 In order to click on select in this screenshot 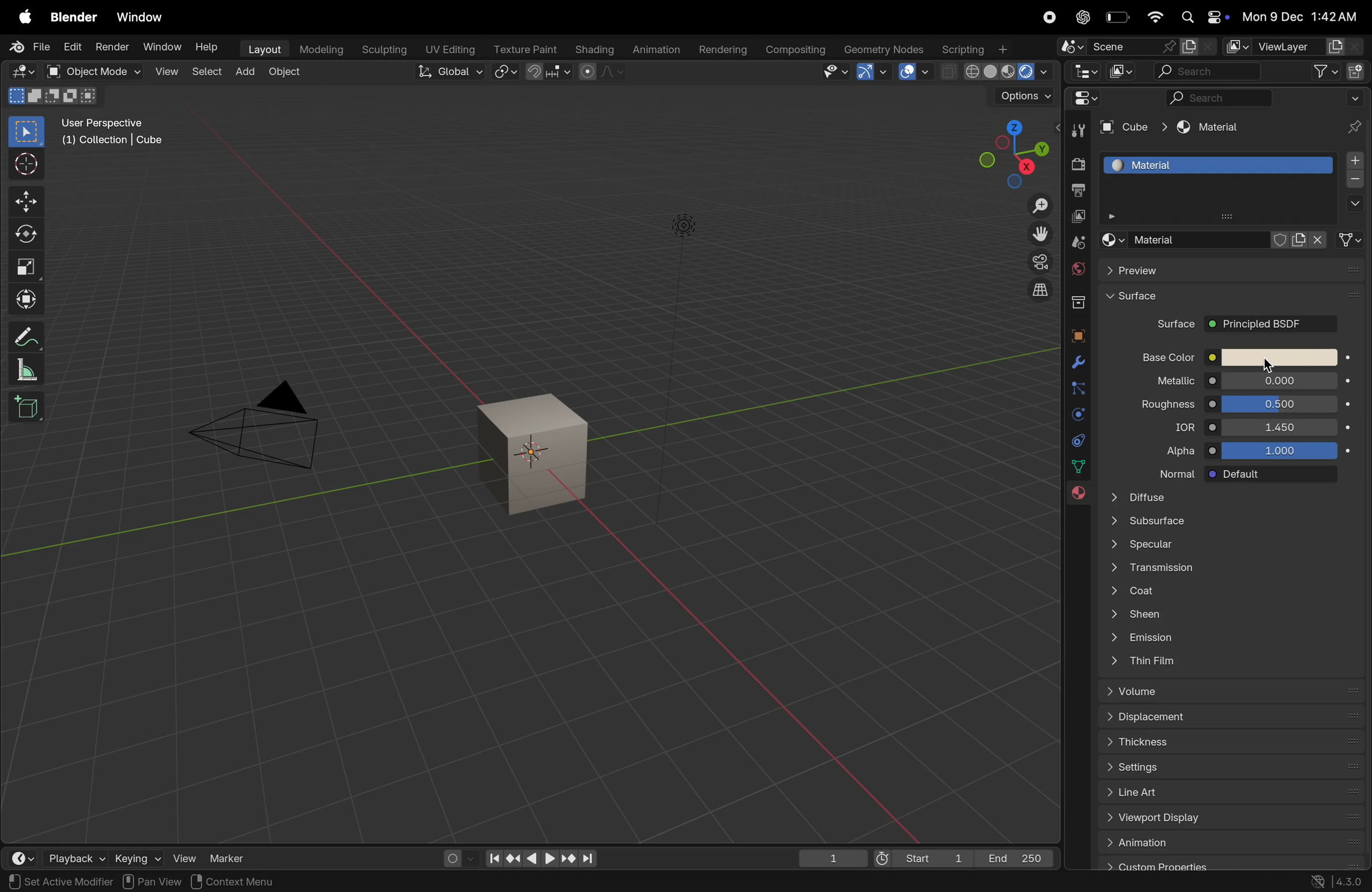, I will do `click(207, 74)`.